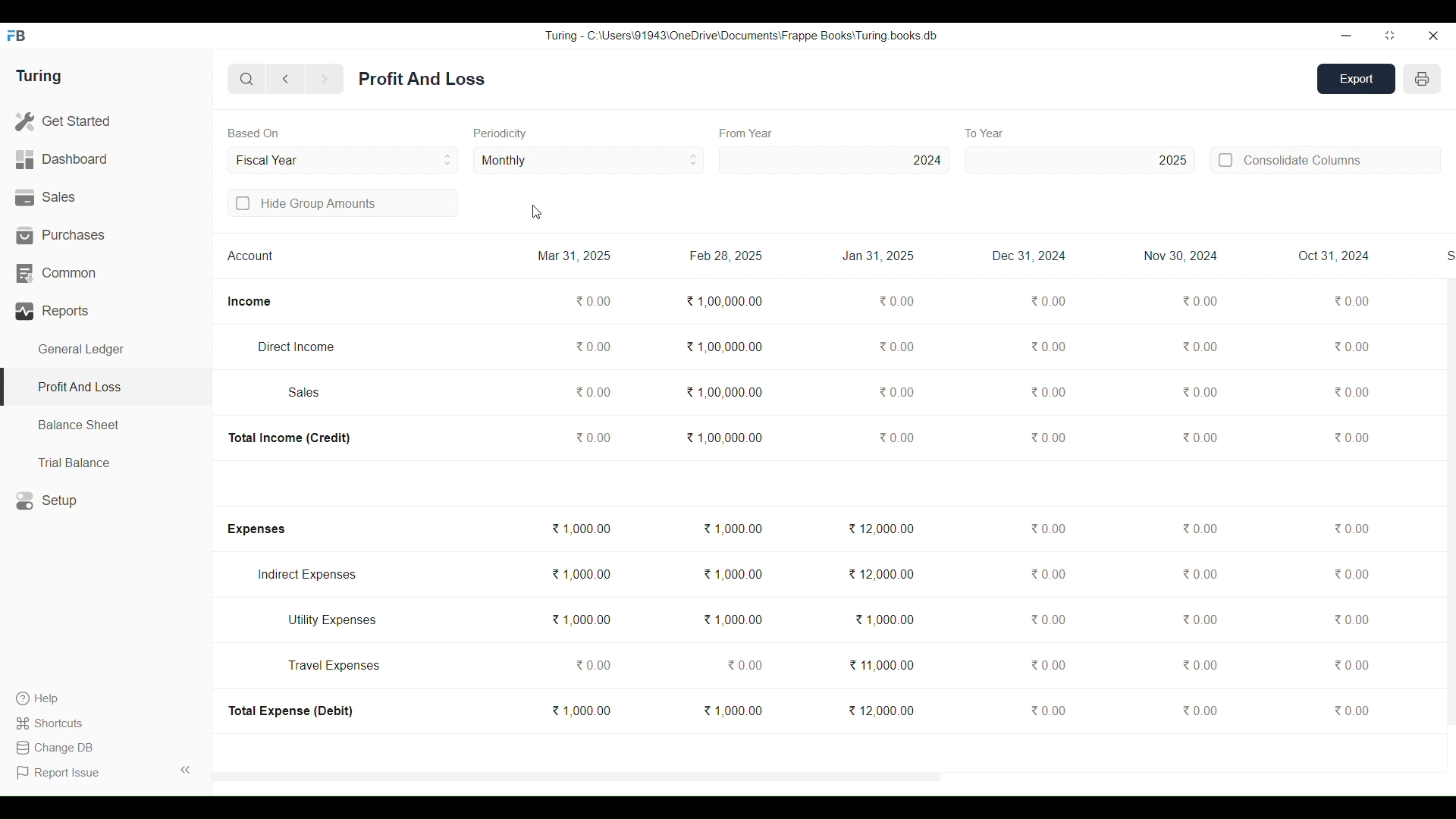 This screenshot has height=819, width=1456. I want to click on 0.00, so click(1047, 438).